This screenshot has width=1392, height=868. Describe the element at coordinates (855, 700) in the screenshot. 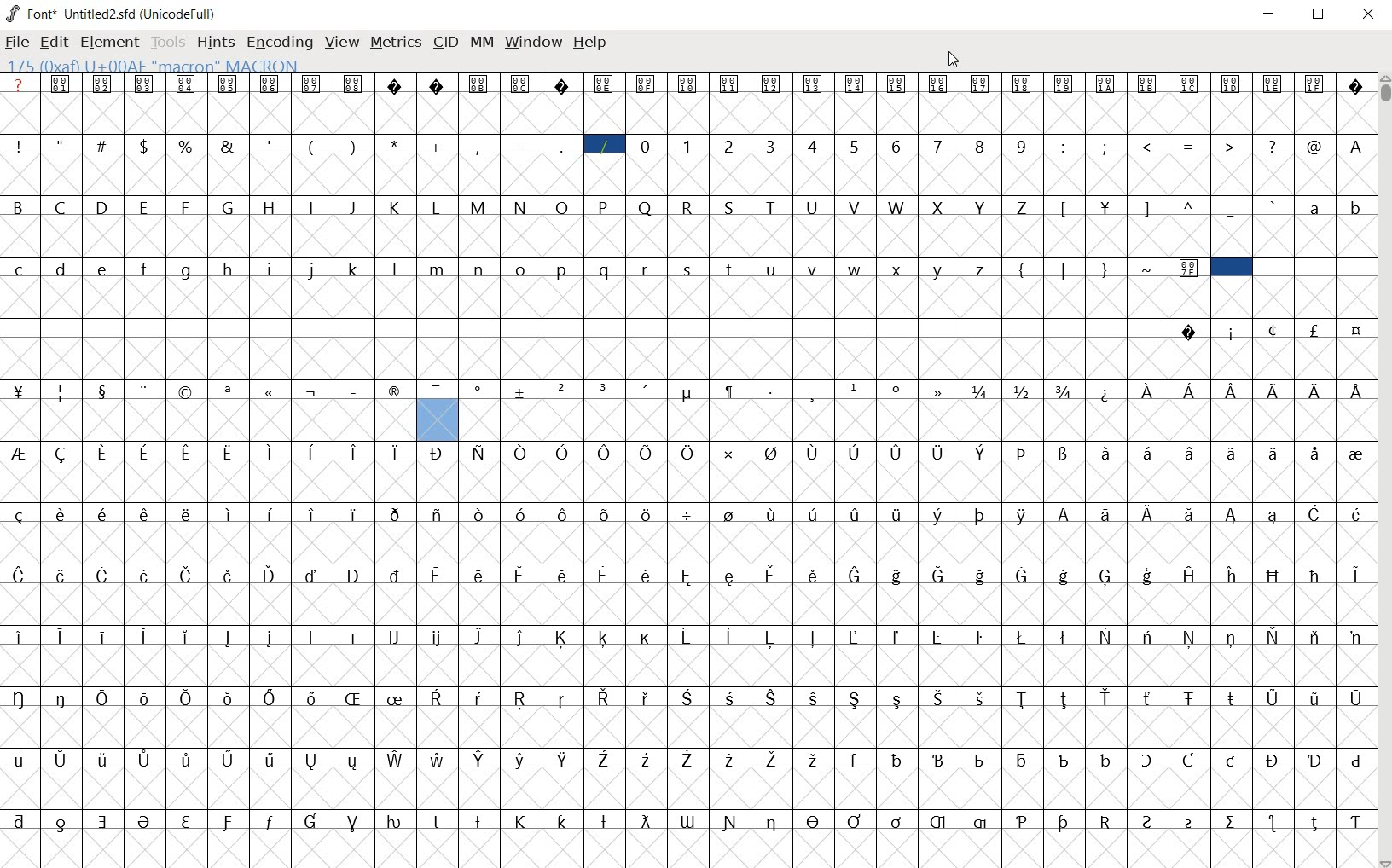

I see `Symbol` at that location.